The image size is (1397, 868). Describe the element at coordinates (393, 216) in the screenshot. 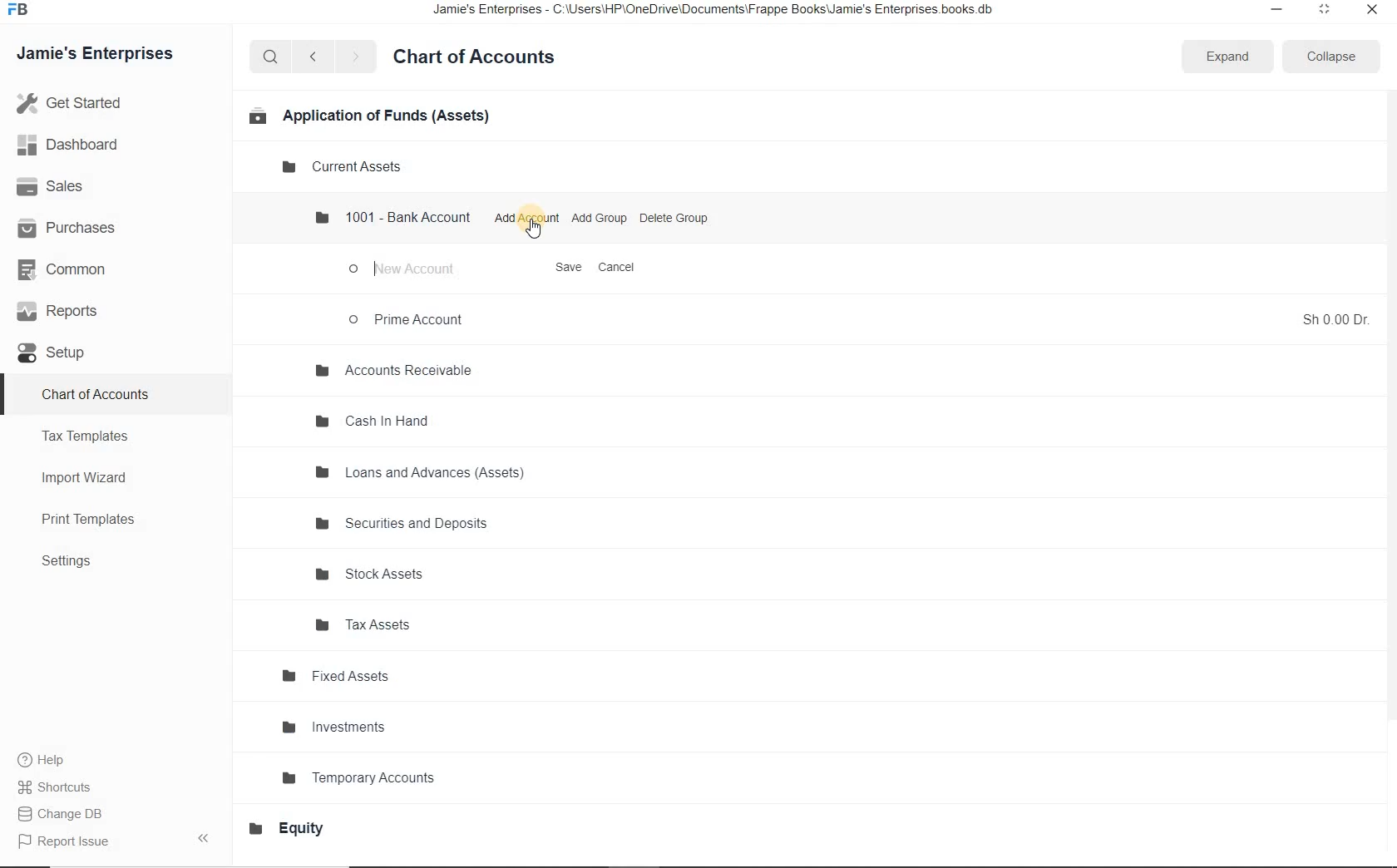

I see `1001 - Bank Account` at that location.